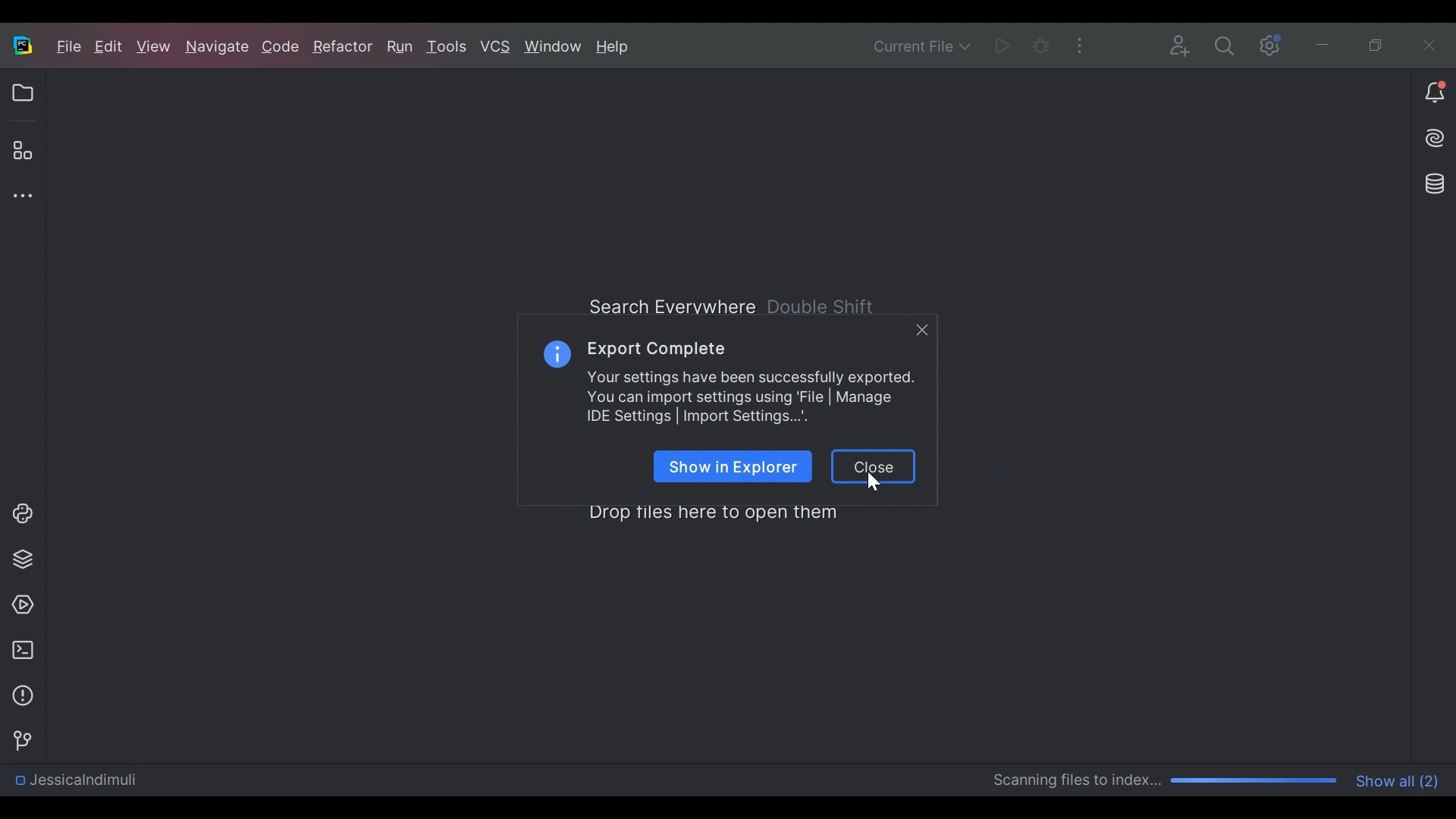 The height and width of the screenshot is (819, 1456). What do you see at coordinates (21, 151) in the screenshot?
I see `Structure` at bounding box center [21, 151].